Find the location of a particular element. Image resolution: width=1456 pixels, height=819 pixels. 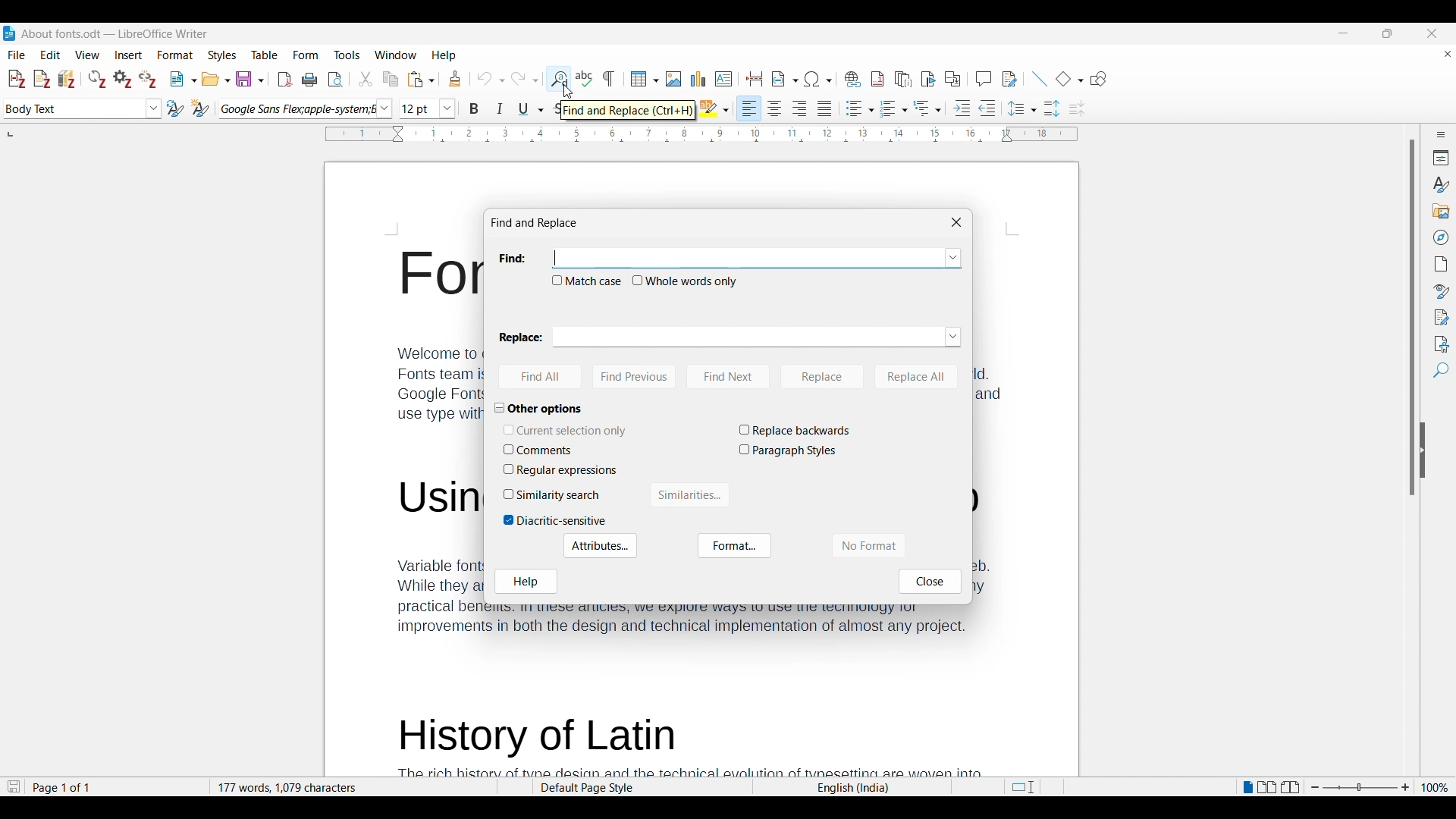

Check spelling is located at coordinates (584, 78).